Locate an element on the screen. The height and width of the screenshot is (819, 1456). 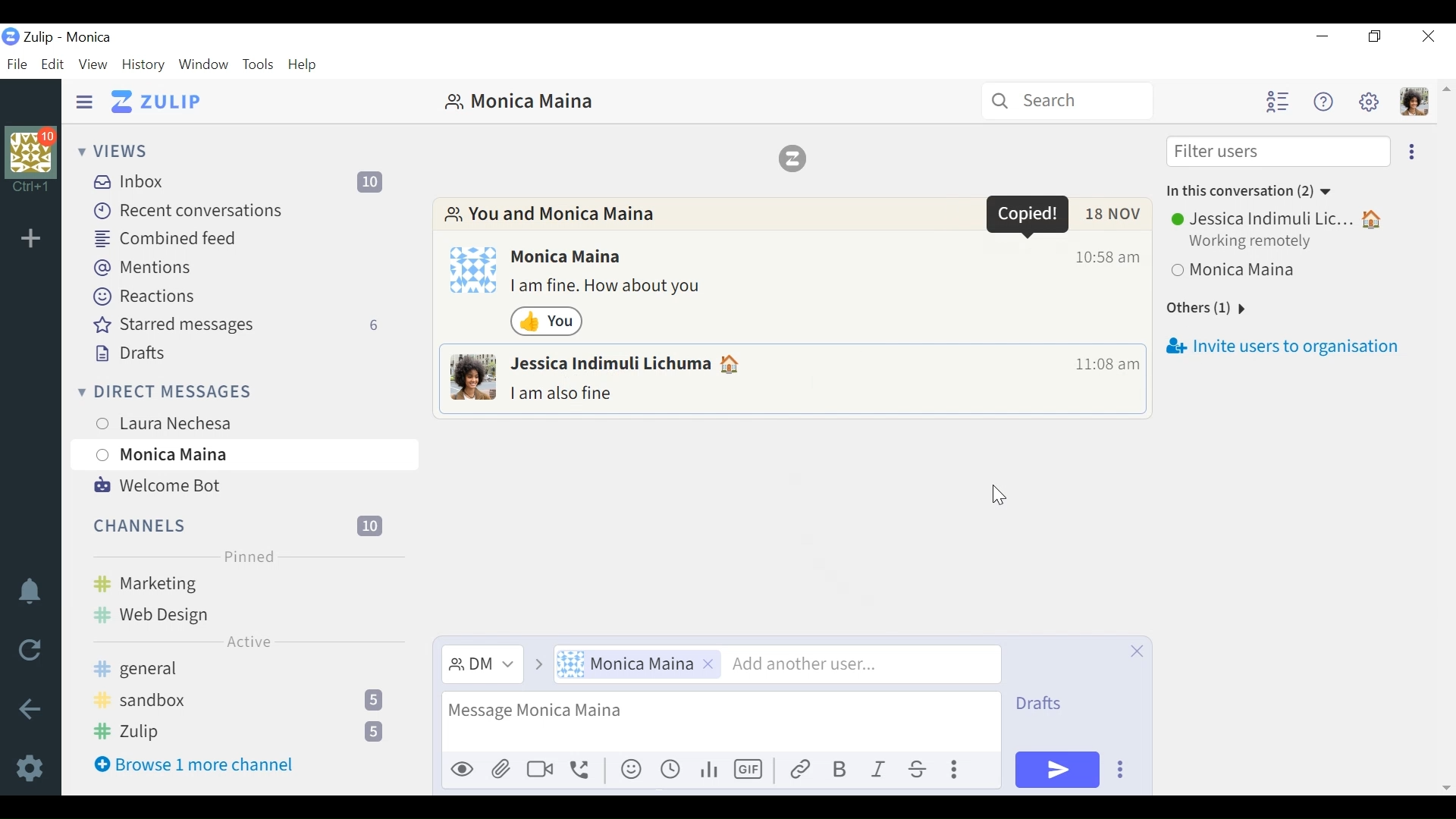
Zulip Desktop icon is located at coordinates (11, 38).